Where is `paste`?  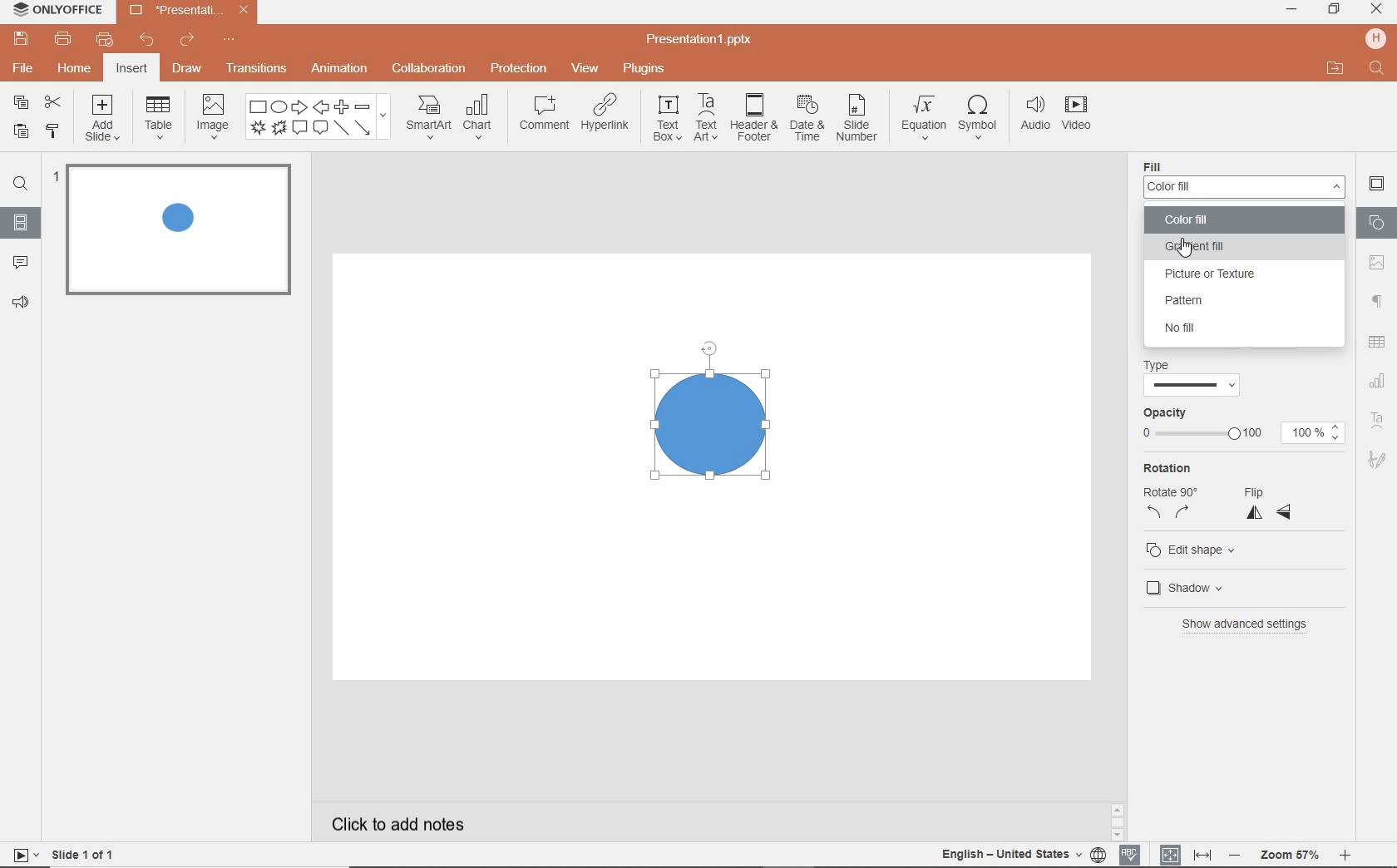
paste is located at coordinates (20, 133).